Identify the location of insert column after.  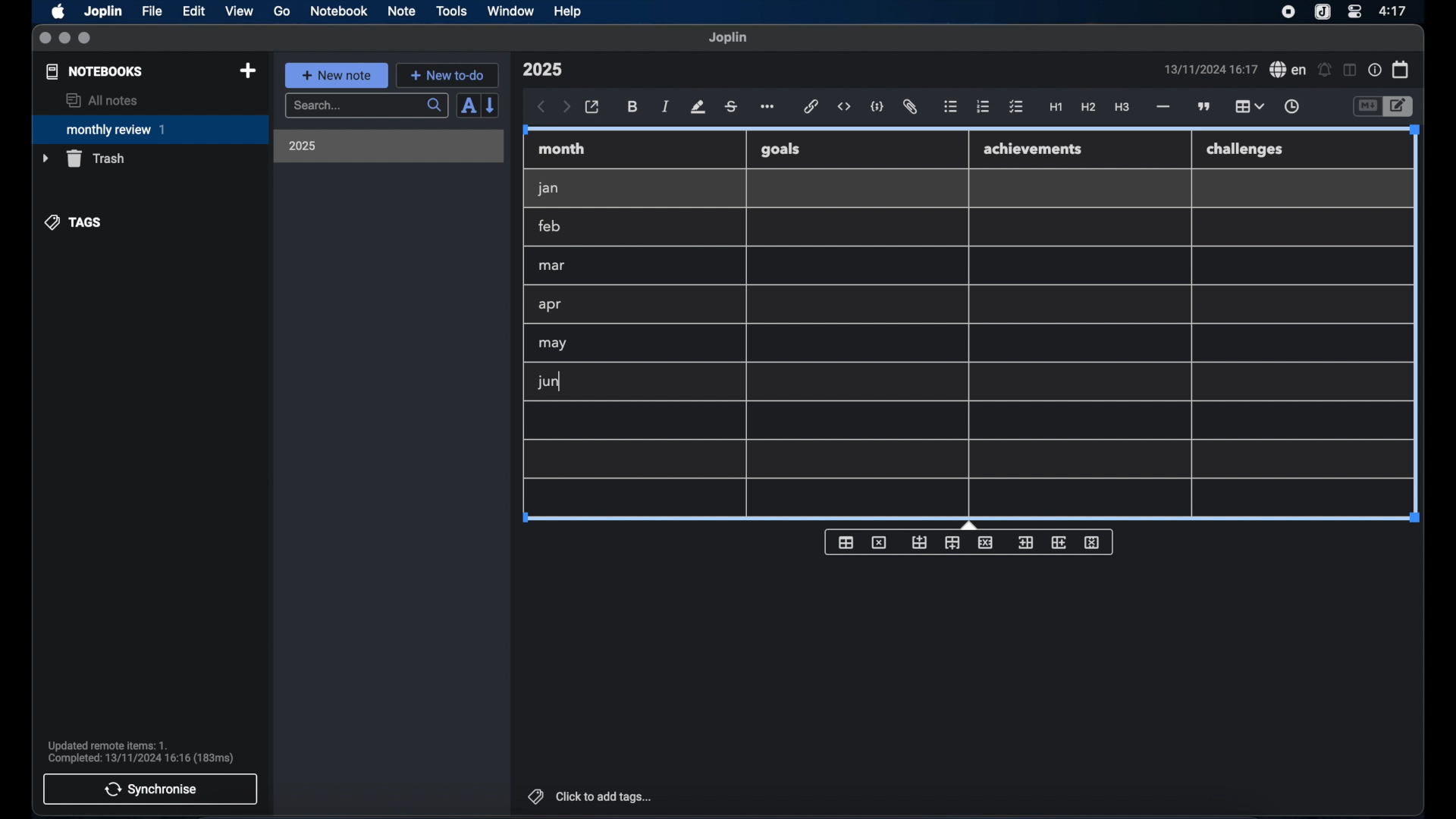
(1059, 542).